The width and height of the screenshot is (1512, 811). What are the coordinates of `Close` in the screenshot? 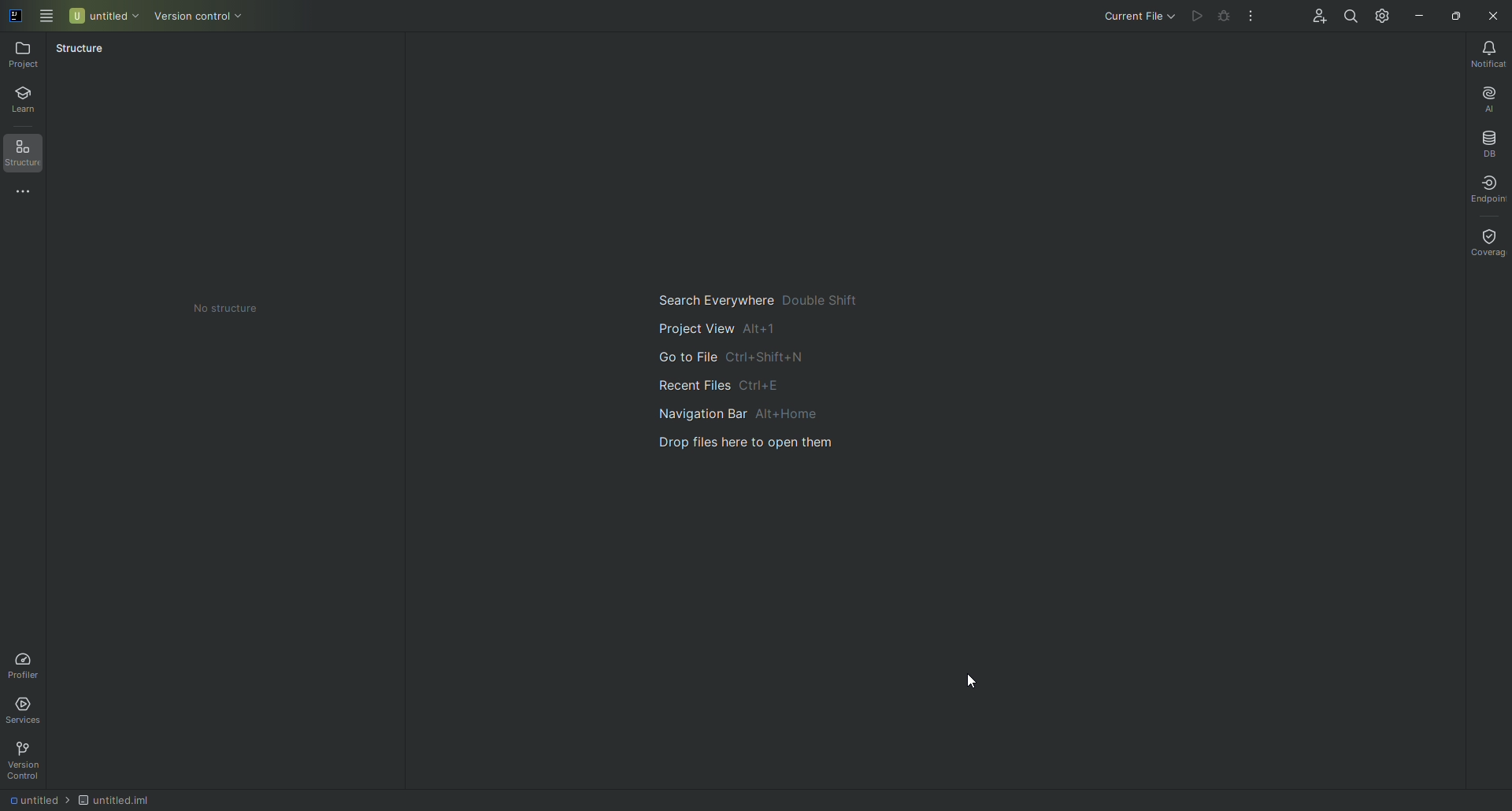 It's located at (1492, 17).